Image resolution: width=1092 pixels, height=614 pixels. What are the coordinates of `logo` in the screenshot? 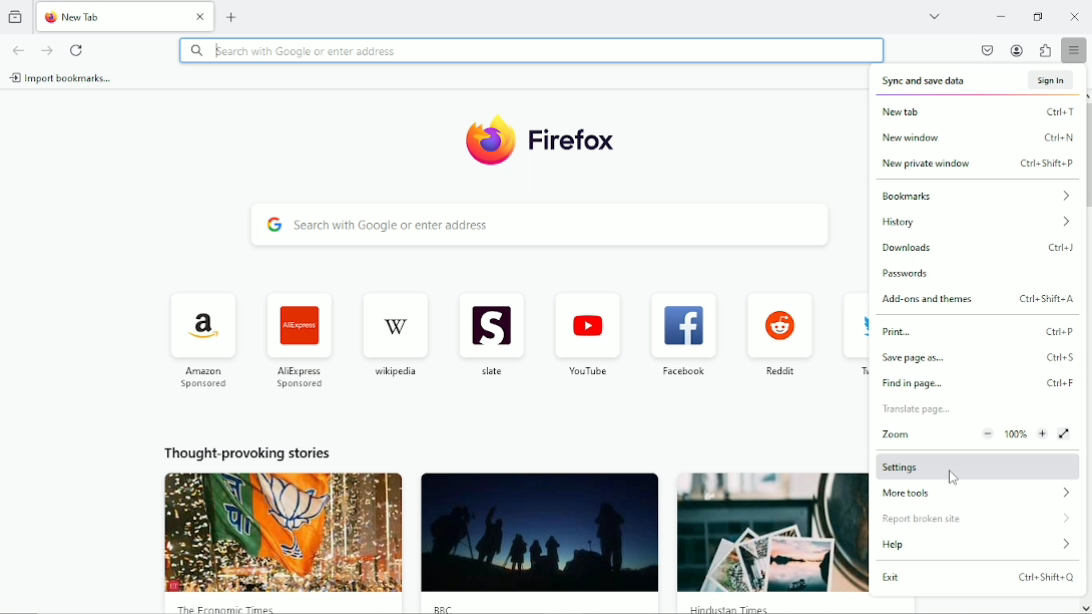 It's located at (488, 141).